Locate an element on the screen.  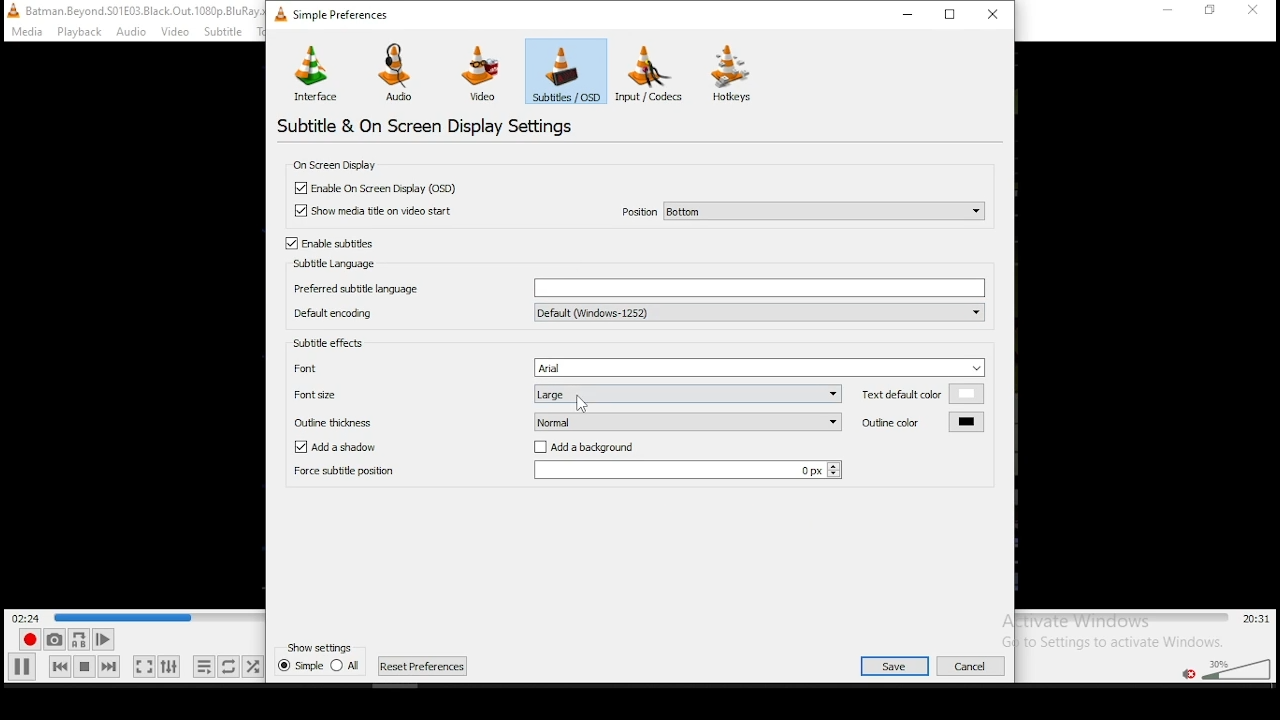
input/codecs is located at coordinates (648, 73).